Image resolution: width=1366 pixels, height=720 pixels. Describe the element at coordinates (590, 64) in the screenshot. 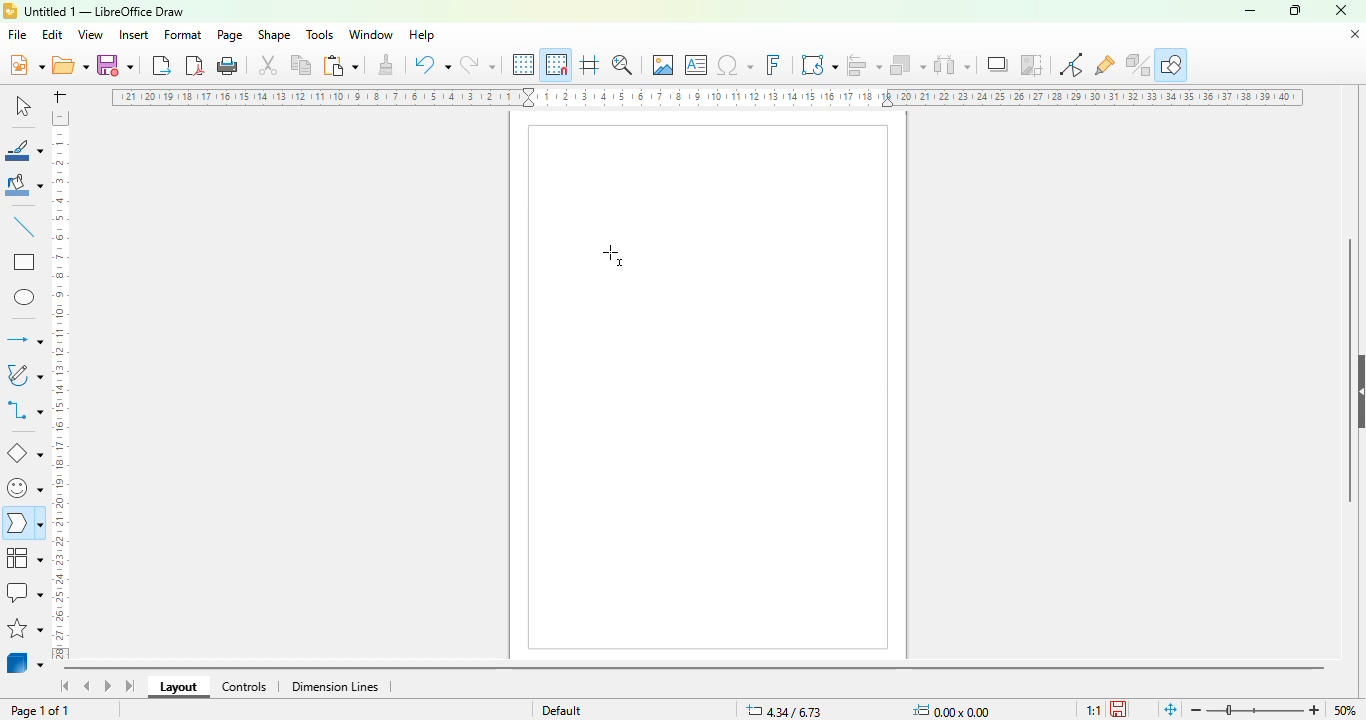

I see `helplines while moving` at that location.